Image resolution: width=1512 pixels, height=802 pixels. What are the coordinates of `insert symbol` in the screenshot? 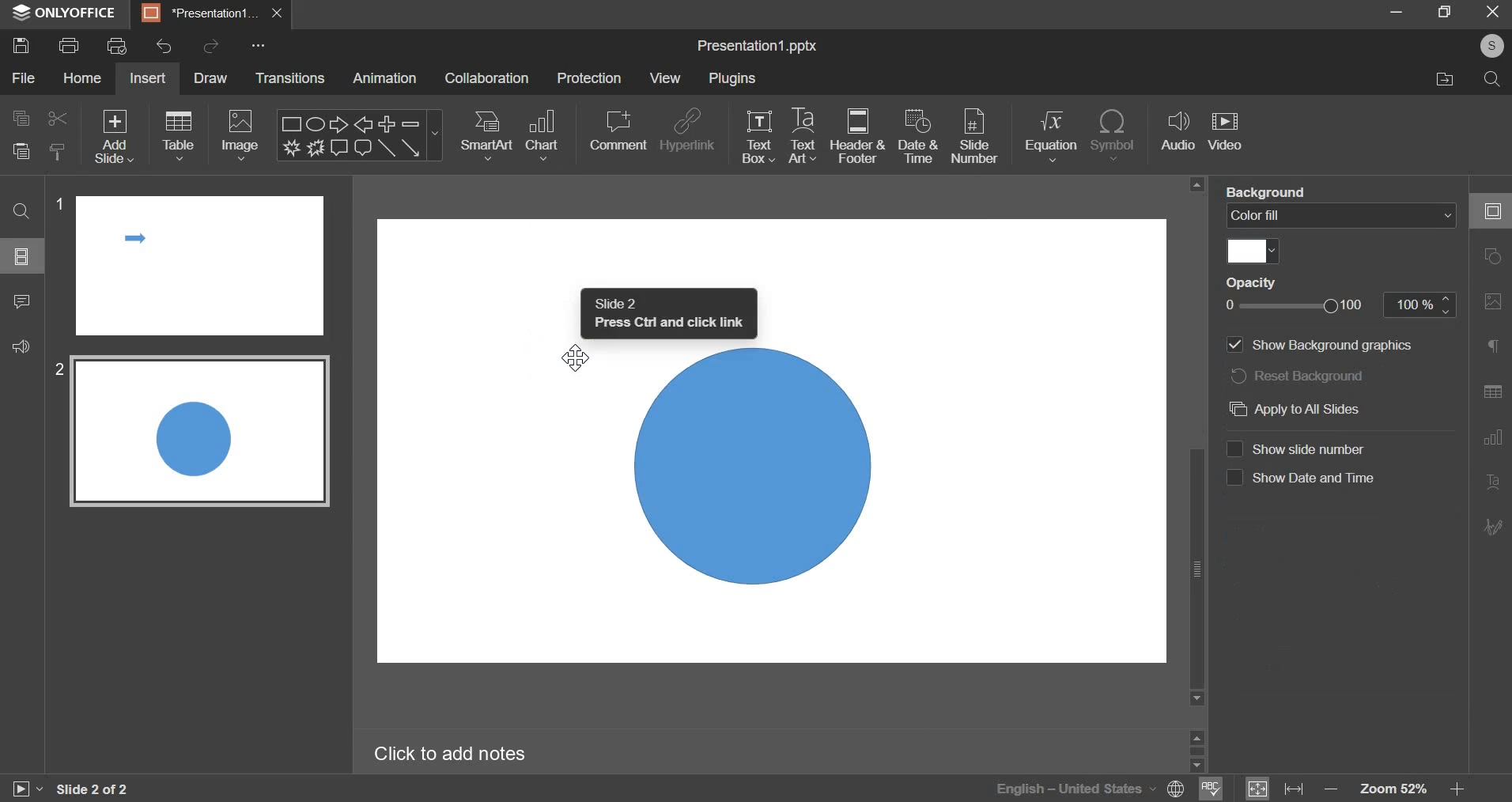 It's located at (1113, 138).